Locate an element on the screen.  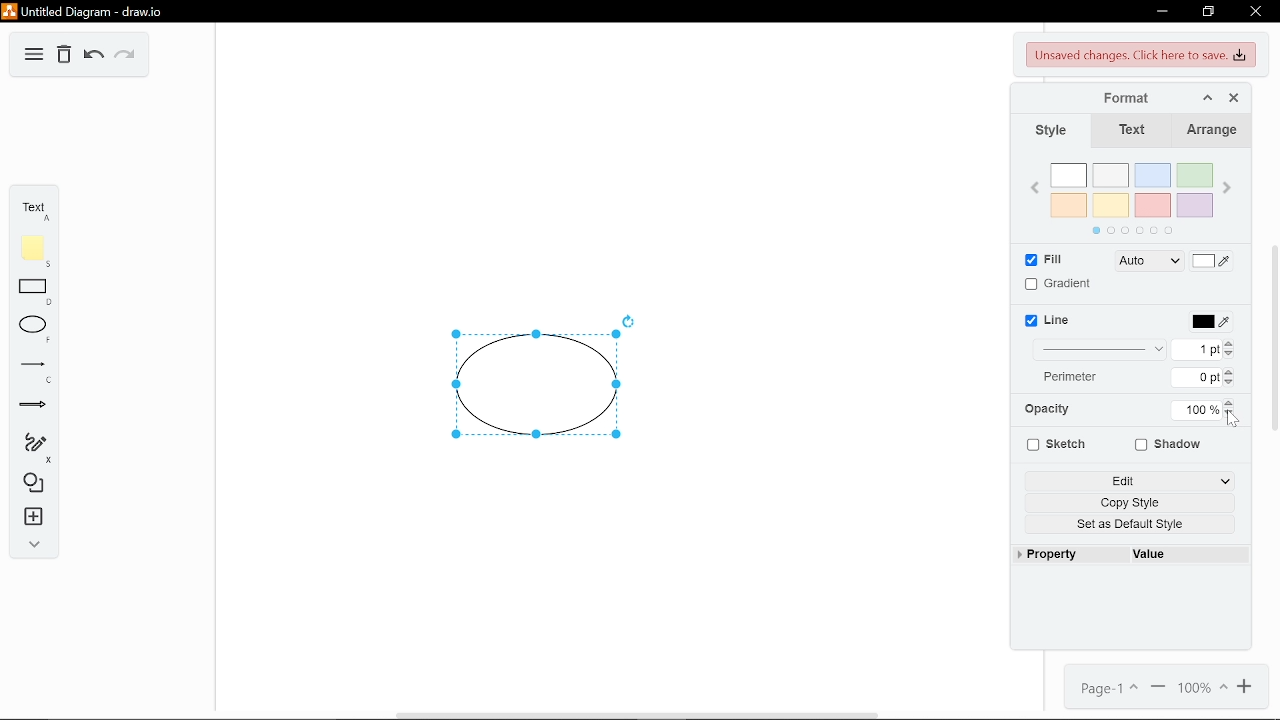
Line color is located at coordinates (1210, 322).